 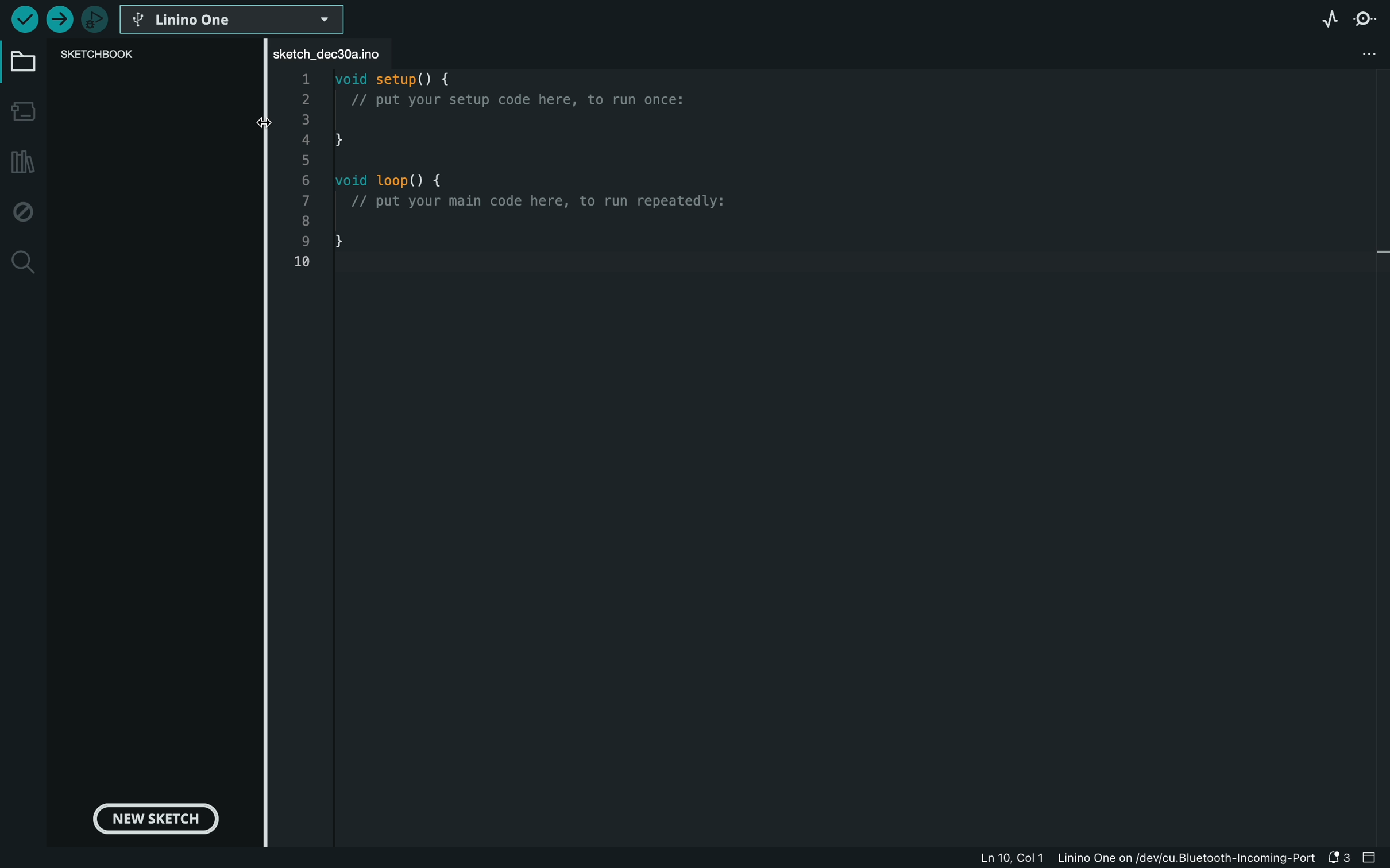 I want to click on serial plotter, so click(x=1304, y=24).